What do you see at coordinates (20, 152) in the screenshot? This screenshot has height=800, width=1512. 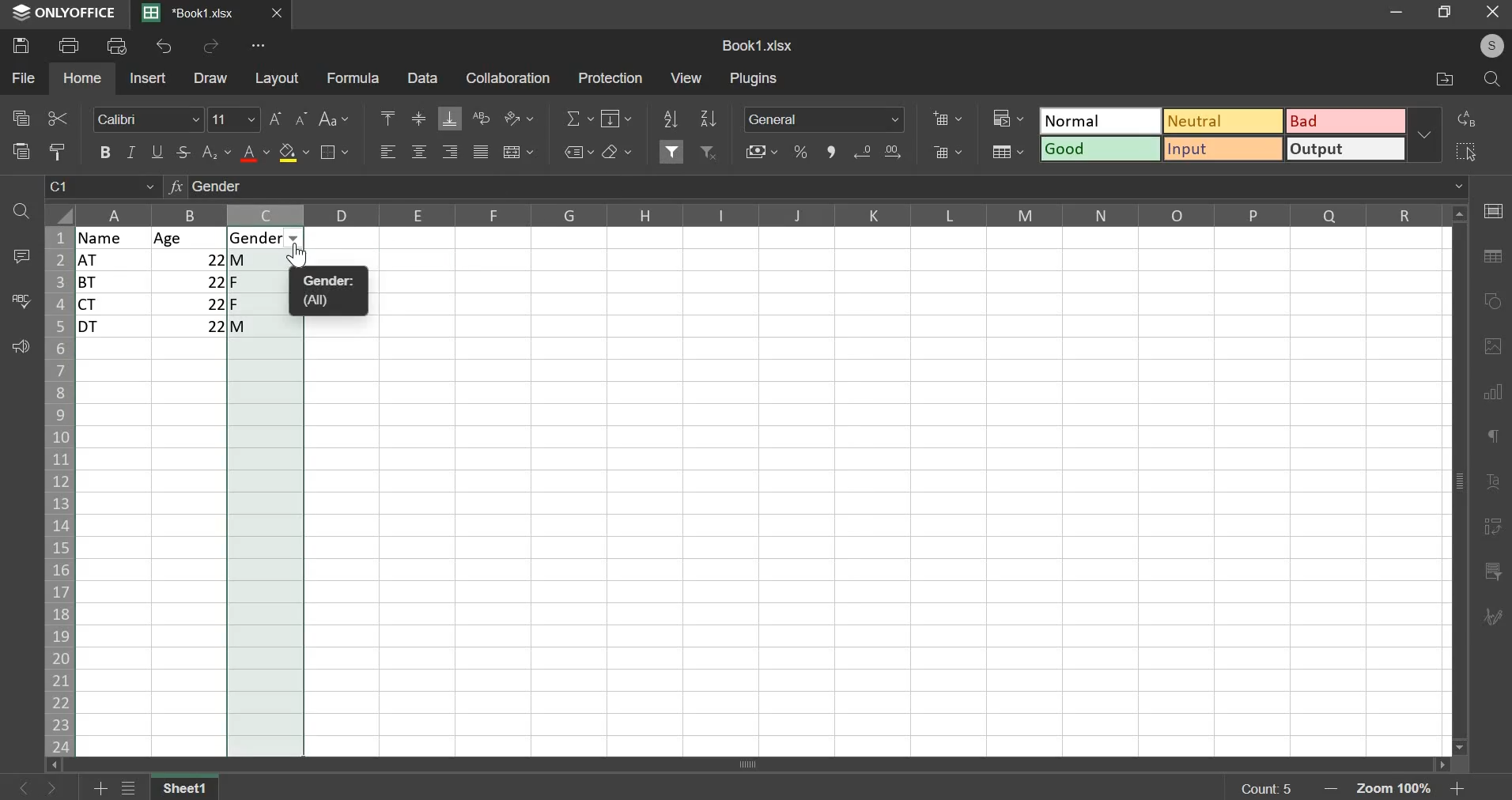 I see `paste` at bounding box center [20, 152].